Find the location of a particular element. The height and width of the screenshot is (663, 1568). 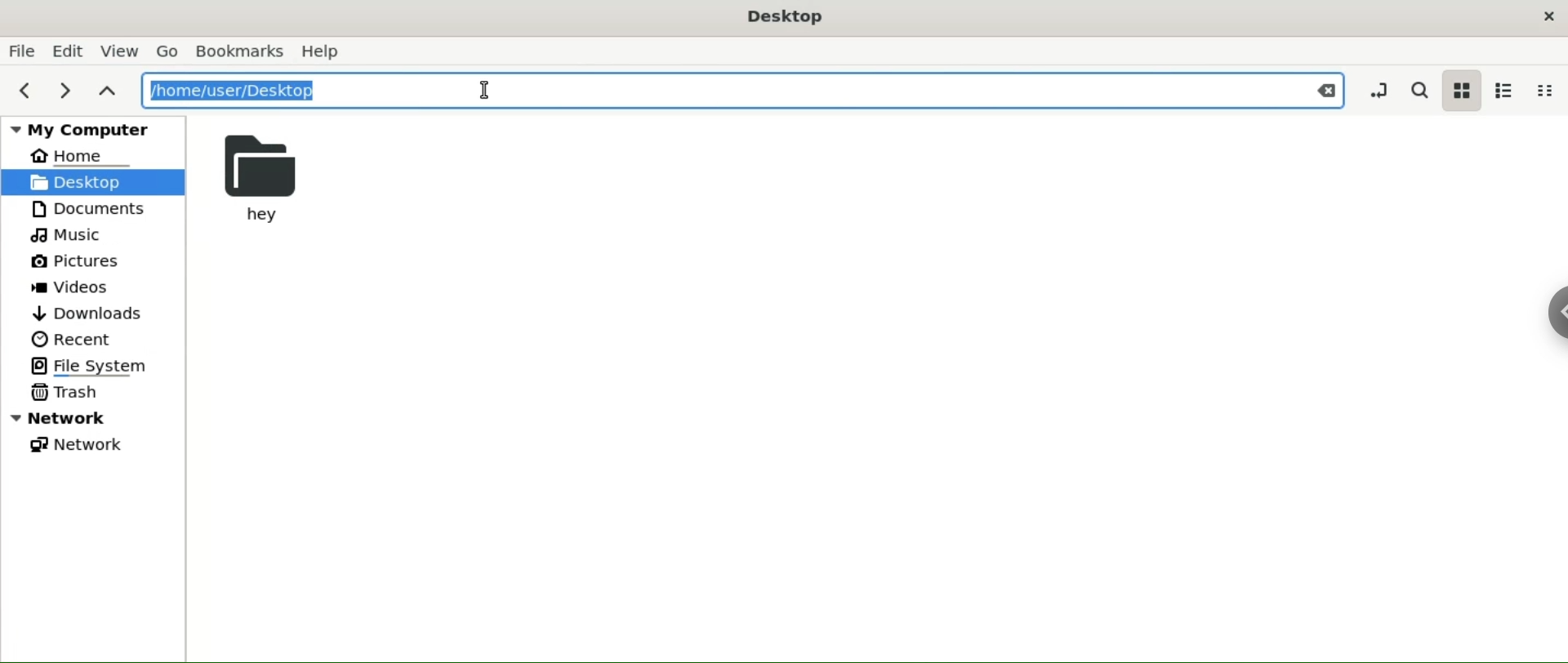

selected location is located at coordinates (241, 91).